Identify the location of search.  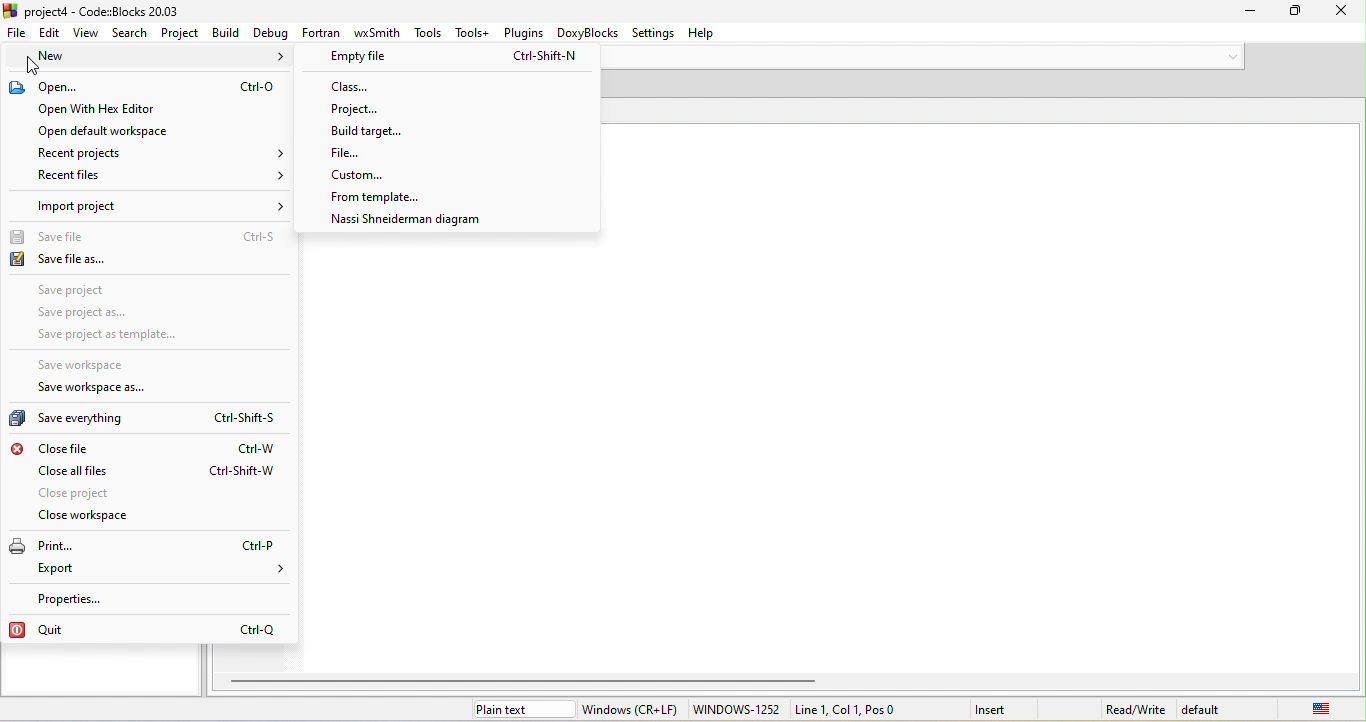
(132, 35).